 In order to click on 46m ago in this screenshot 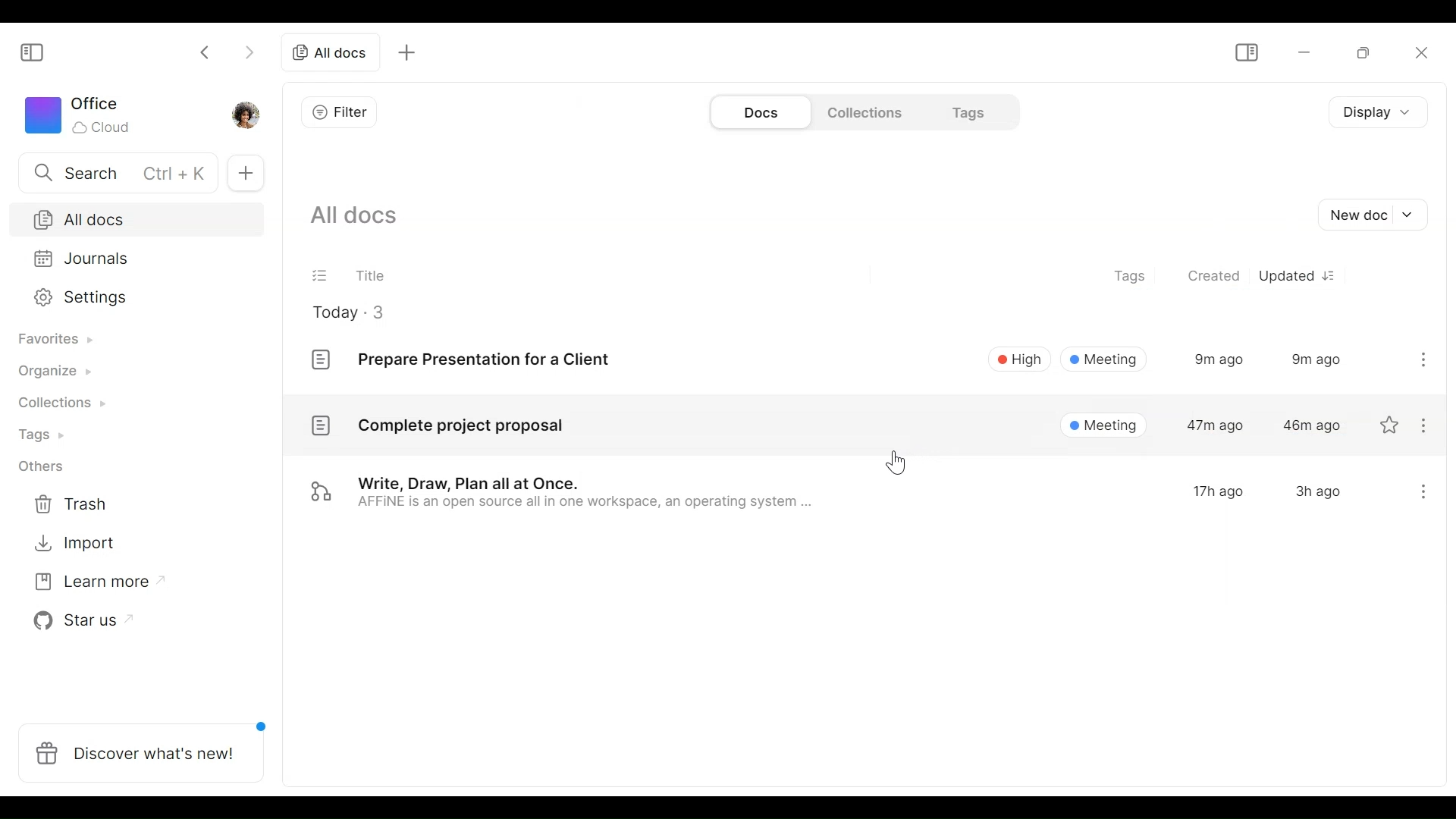, I will do `click(1313, 426)`.